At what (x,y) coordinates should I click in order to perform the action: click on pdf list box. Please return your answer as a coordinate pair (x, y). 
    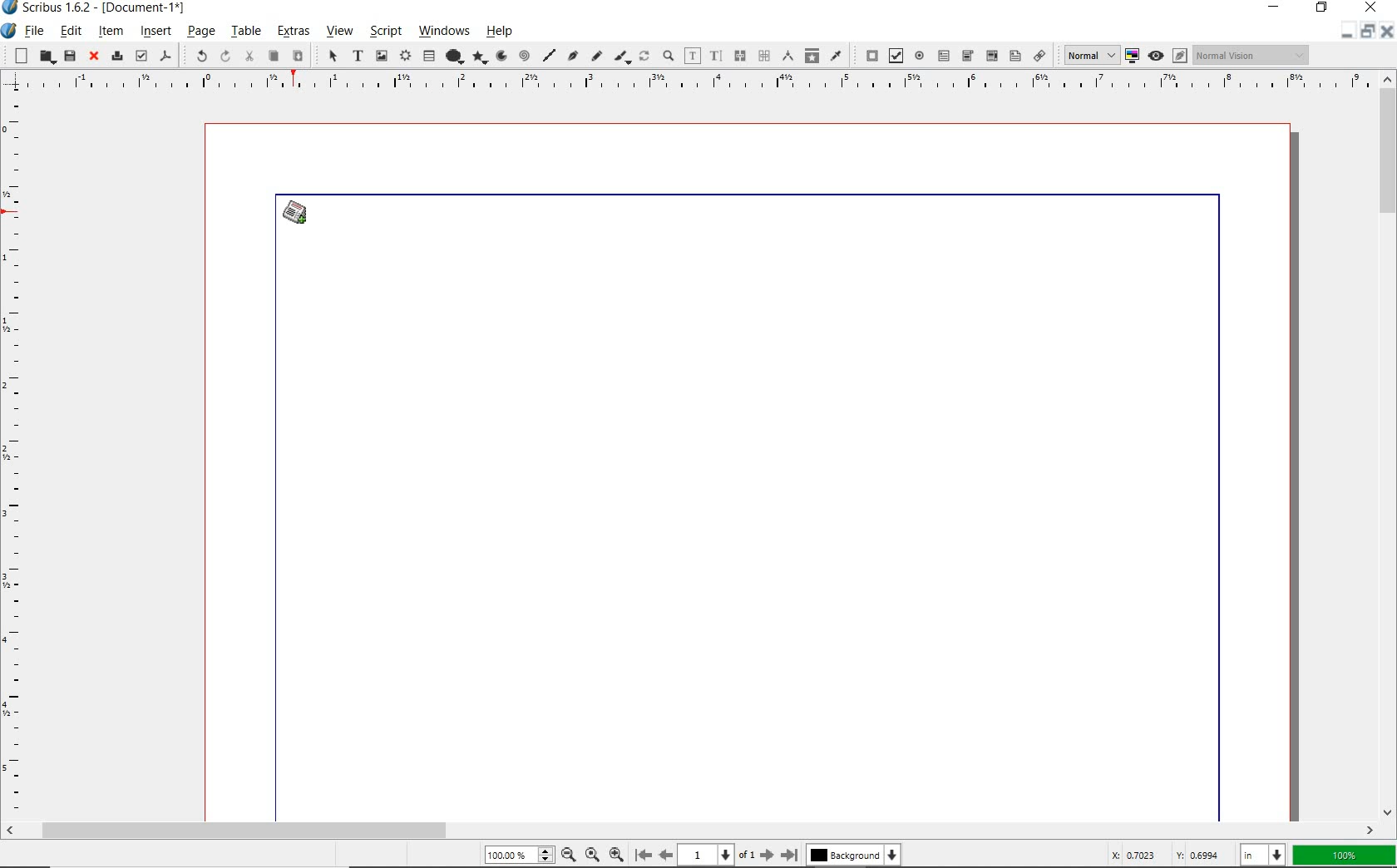
    Looking at the image, I should click on (1014, 57).